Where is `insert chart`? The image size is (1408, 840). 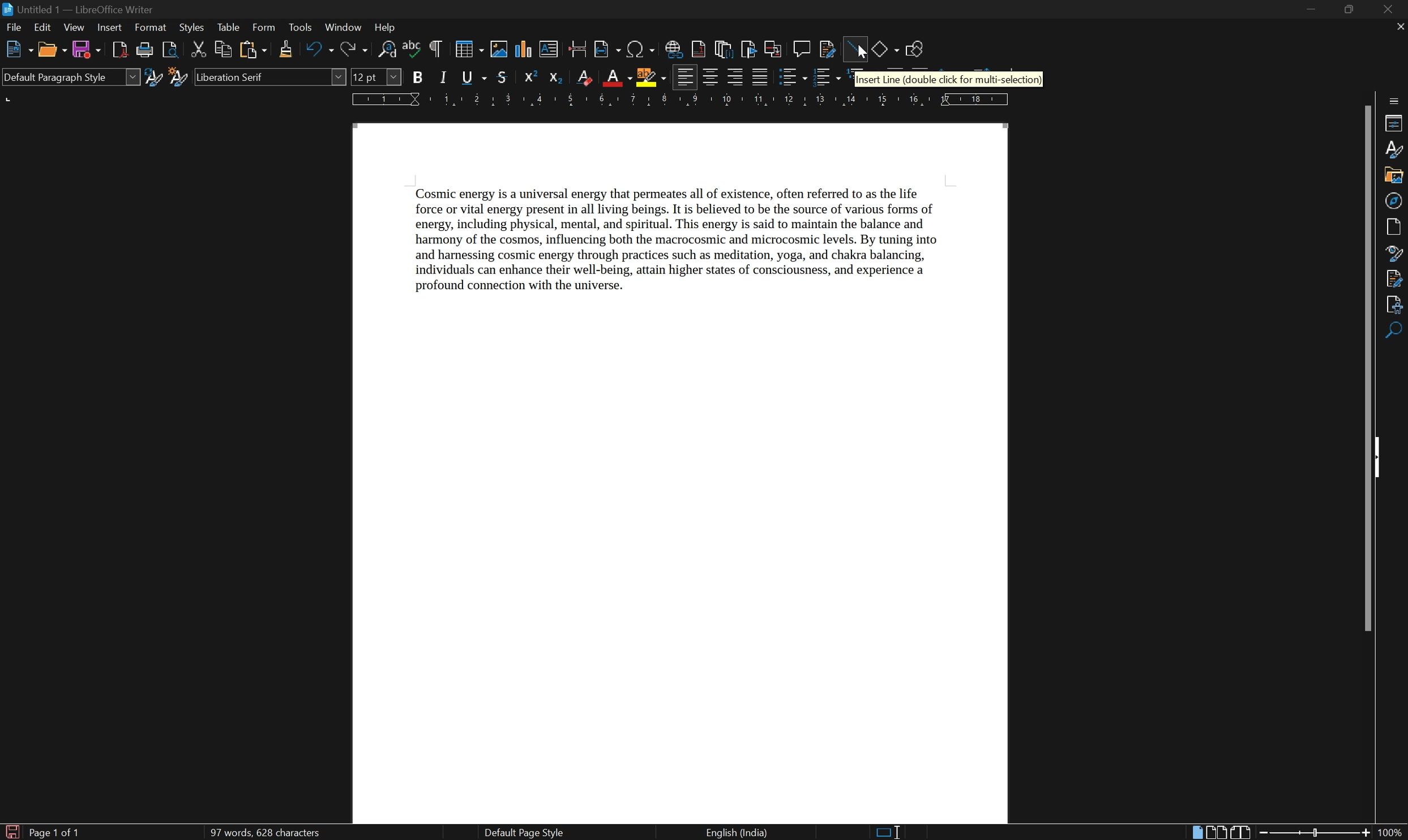 insert chart is located at coordinates (525, 49).